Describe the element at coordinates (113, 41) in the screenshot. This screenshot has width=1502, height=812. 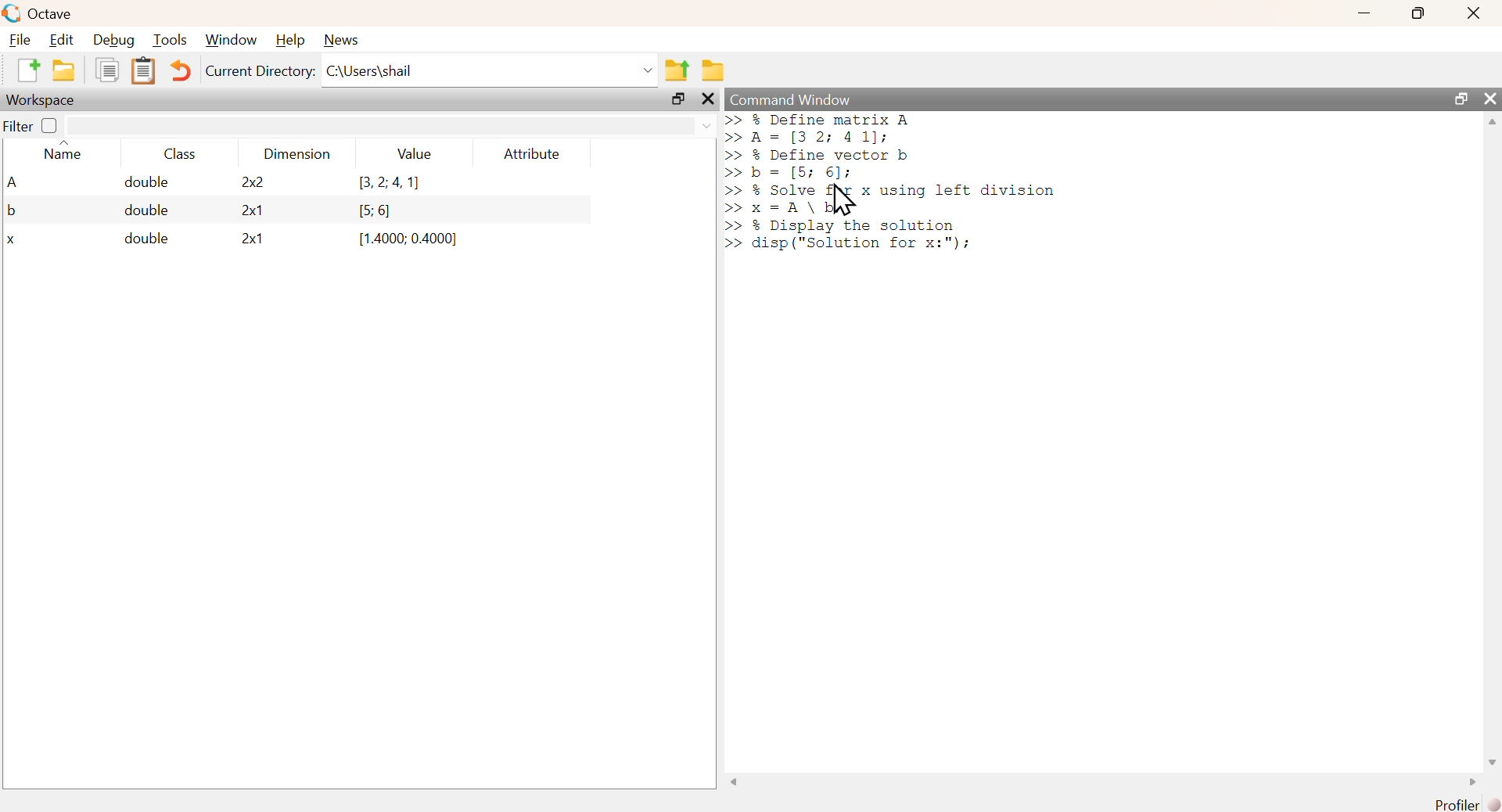
I see `debug` at that location.